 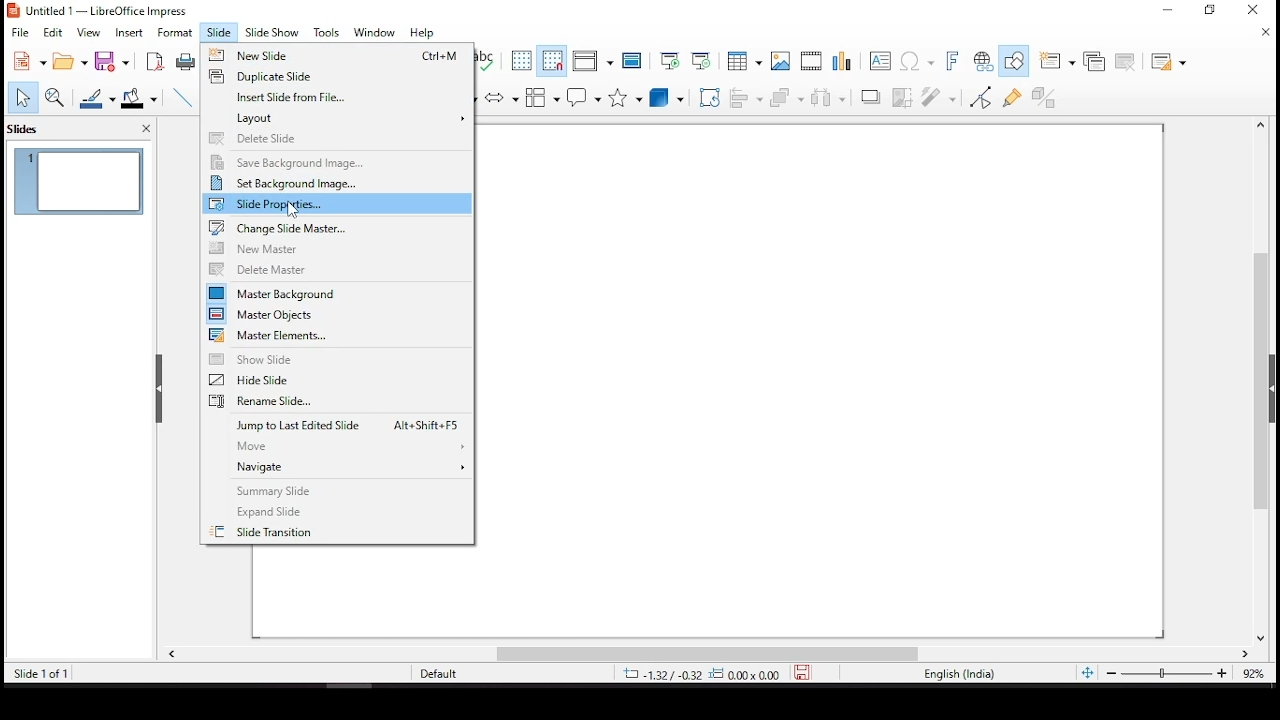 What do you see at coordinates (1165, 673) in the screenshot?
I see `zoom slider` at bounding box center [1165, 673].